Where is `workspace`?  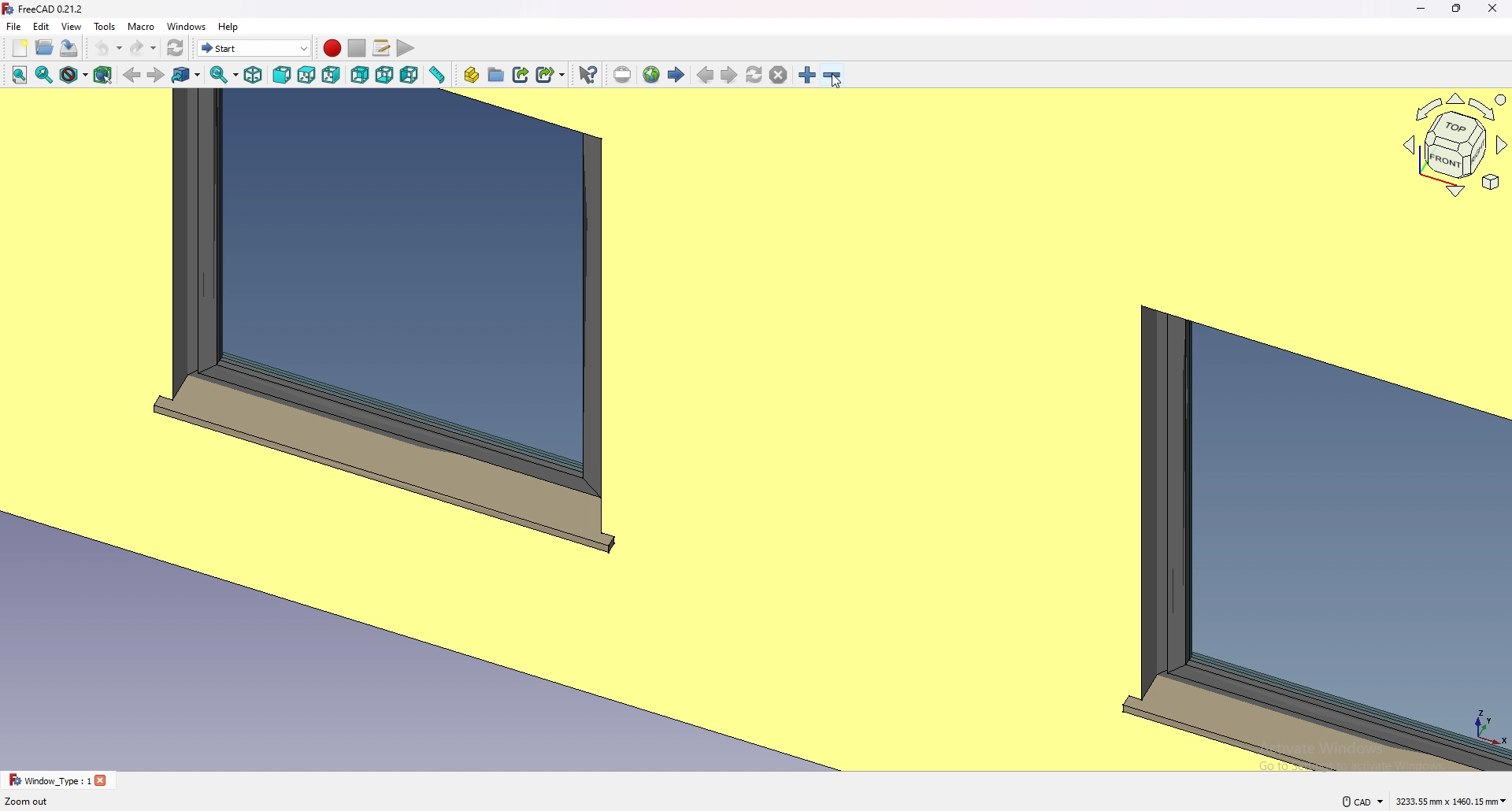 workspace is located at coordinates (696, 429).